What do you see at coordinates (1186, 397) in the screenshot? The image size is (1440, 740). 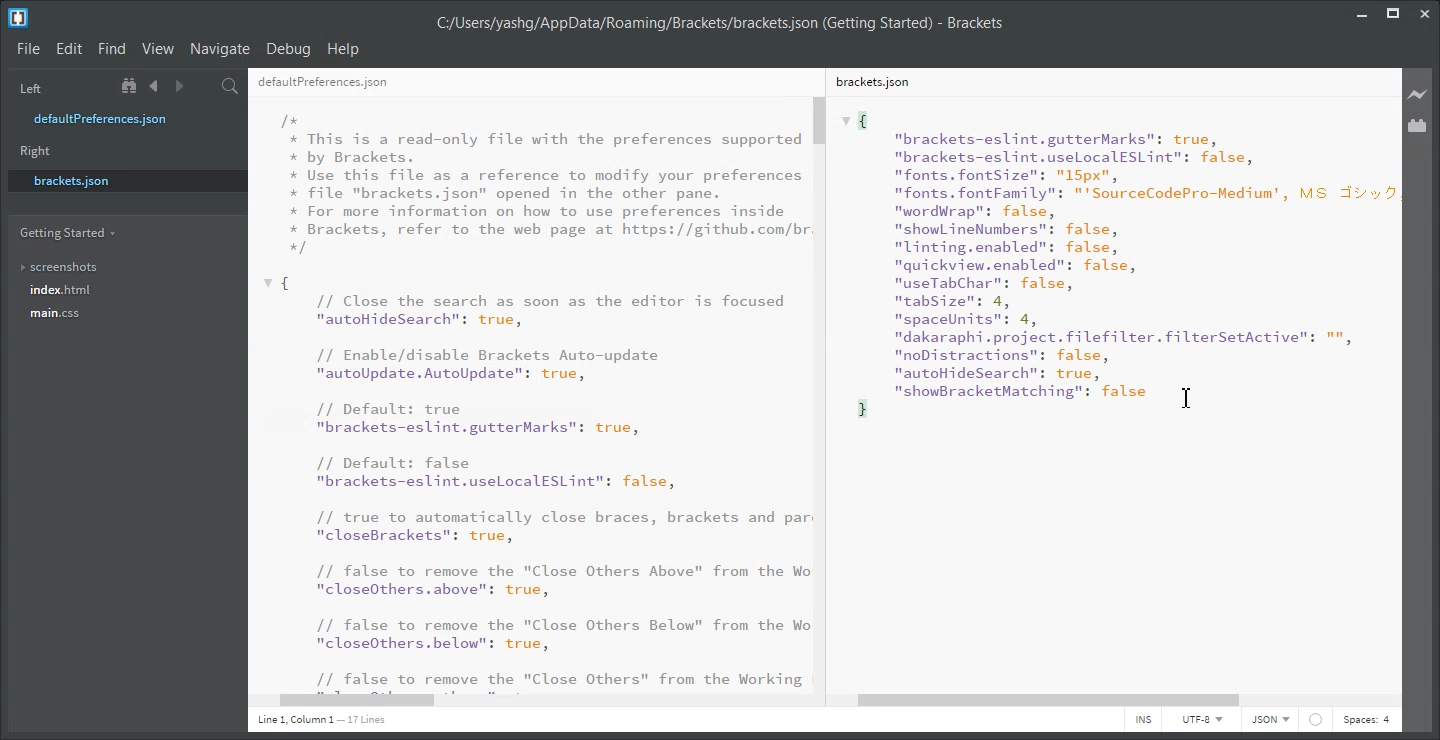 I see `Text Cursor` at bounding box center [1186, 397].